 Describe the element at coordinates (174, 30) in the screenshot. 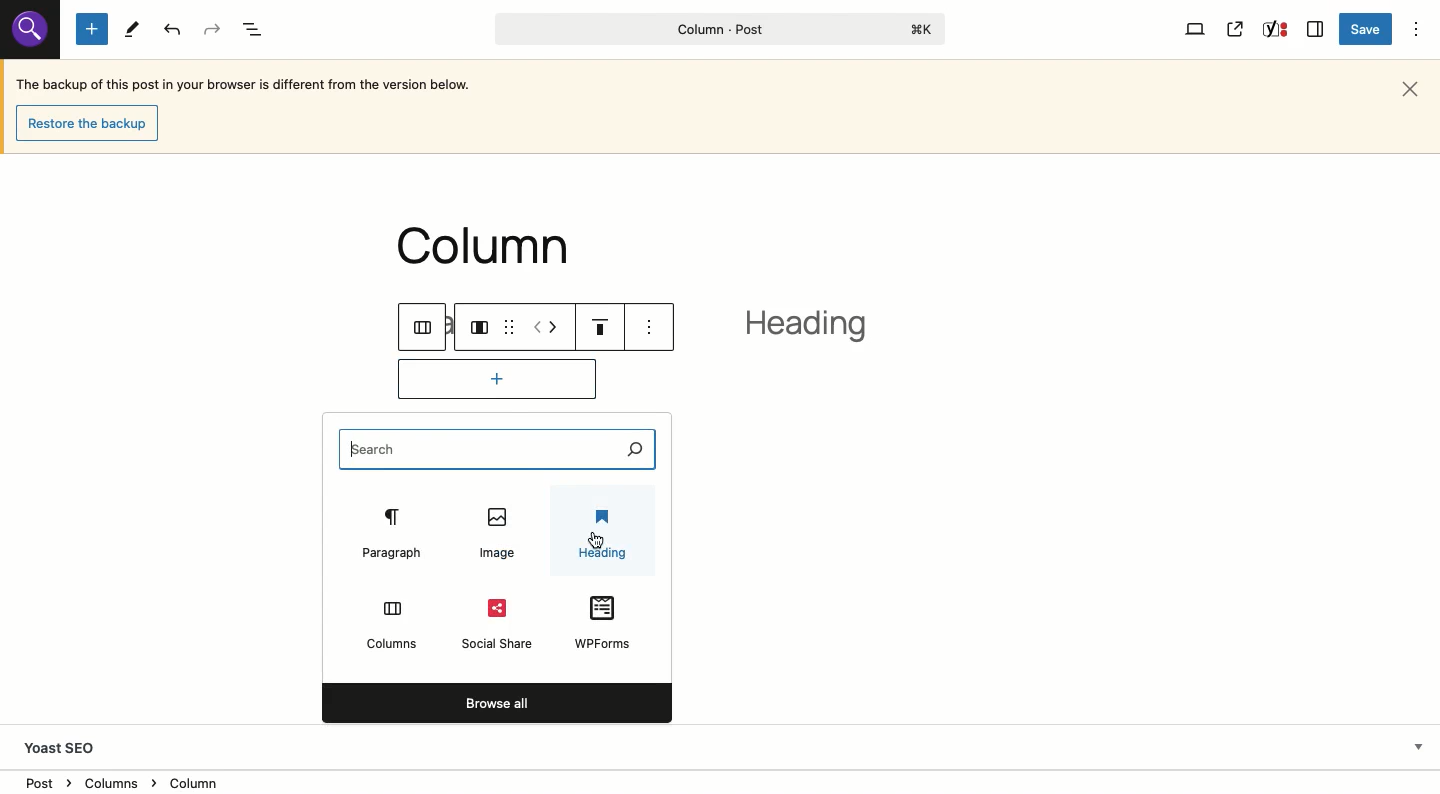

I see `Undo` at that location.